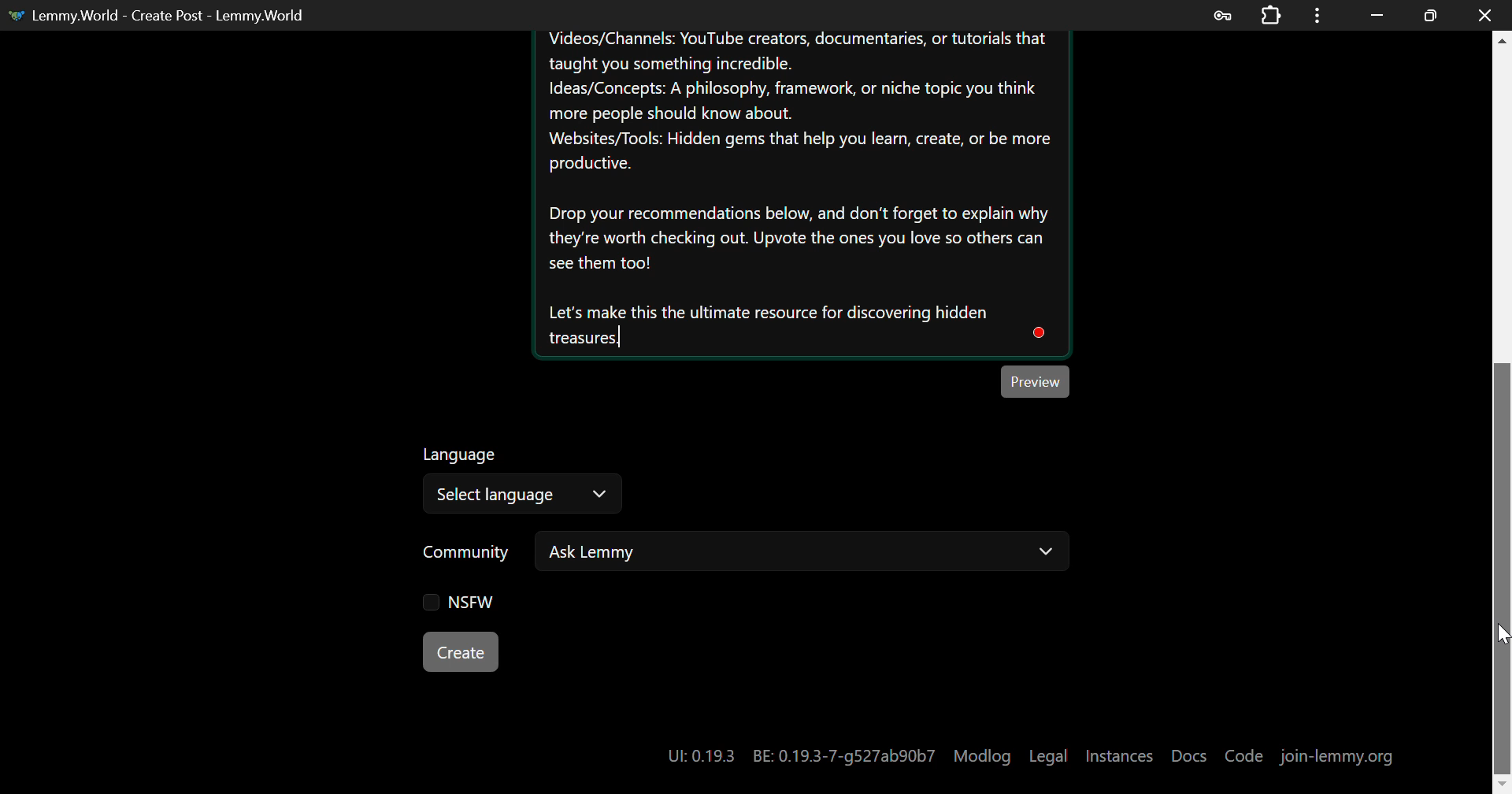 This screenshot has height=794, width=1512. I want to click on Close Window, so click(1485, 13).